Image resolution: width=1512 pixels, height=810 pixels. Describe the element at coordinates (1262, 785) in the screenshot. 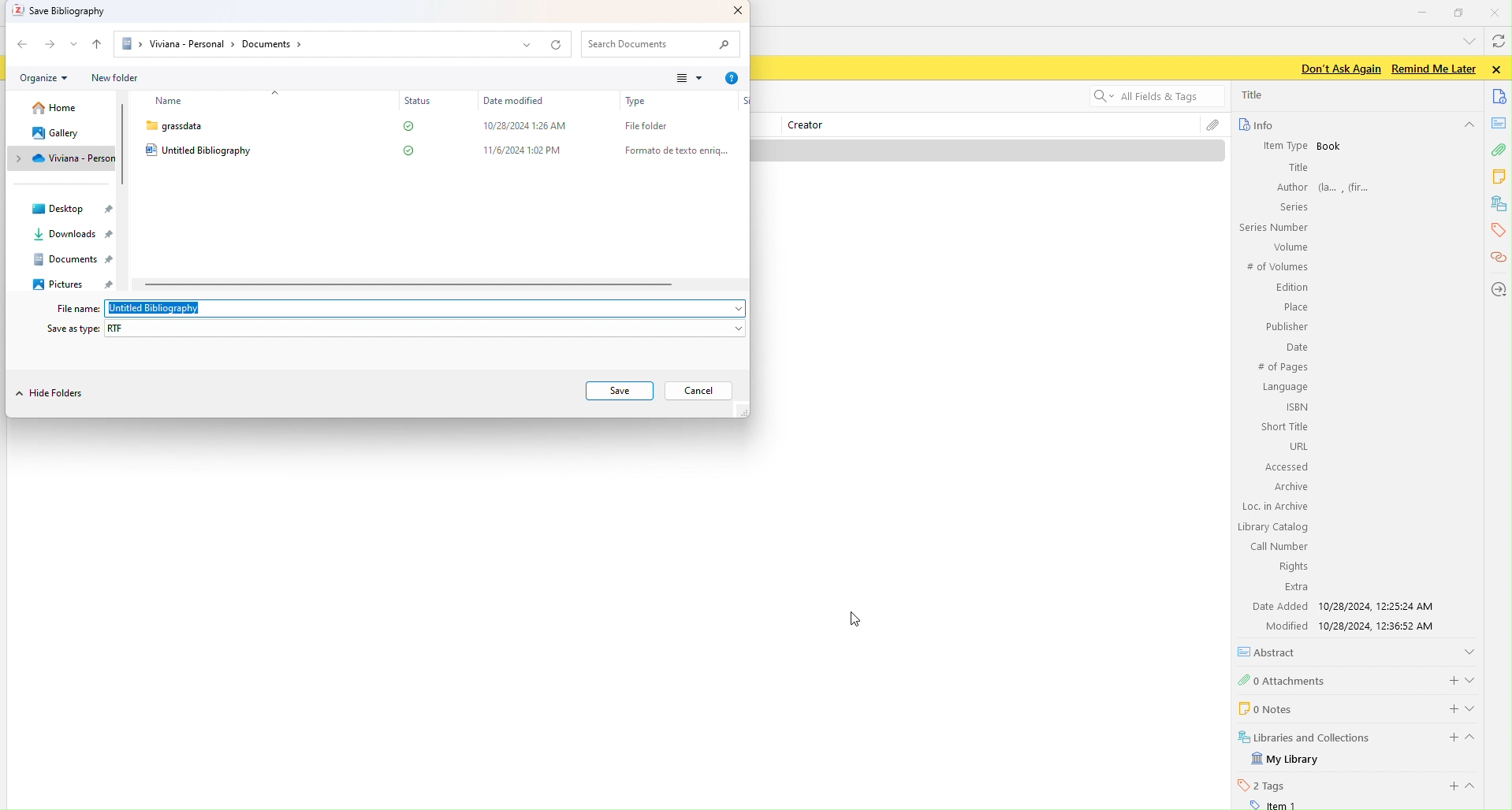

I see `2 Tags` at that location.